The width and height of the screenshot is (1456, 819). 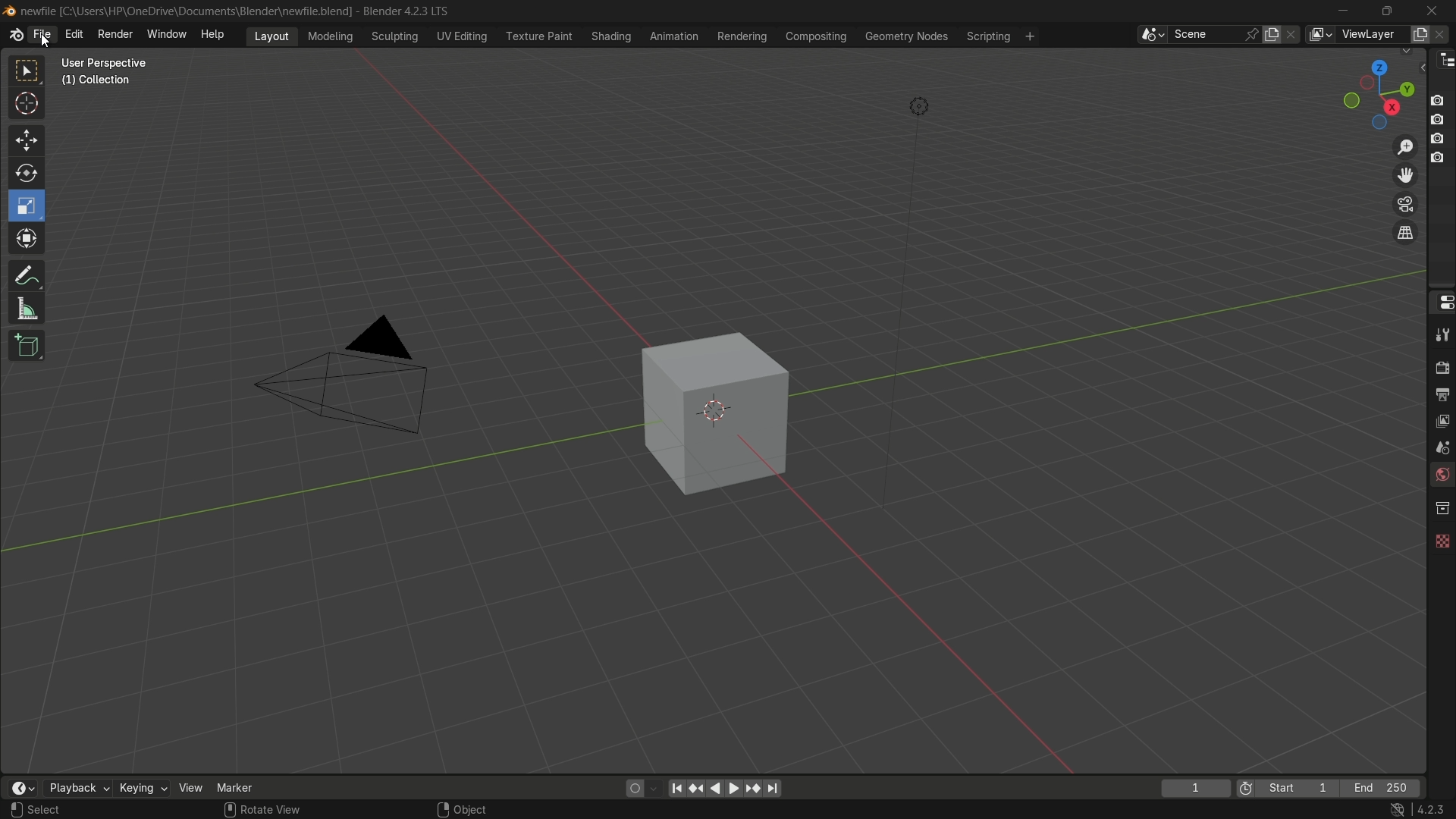 What do you see at coordinates (331, 35) in the screenshot?
I see `modeling menu` at bounding box center [331, 35].